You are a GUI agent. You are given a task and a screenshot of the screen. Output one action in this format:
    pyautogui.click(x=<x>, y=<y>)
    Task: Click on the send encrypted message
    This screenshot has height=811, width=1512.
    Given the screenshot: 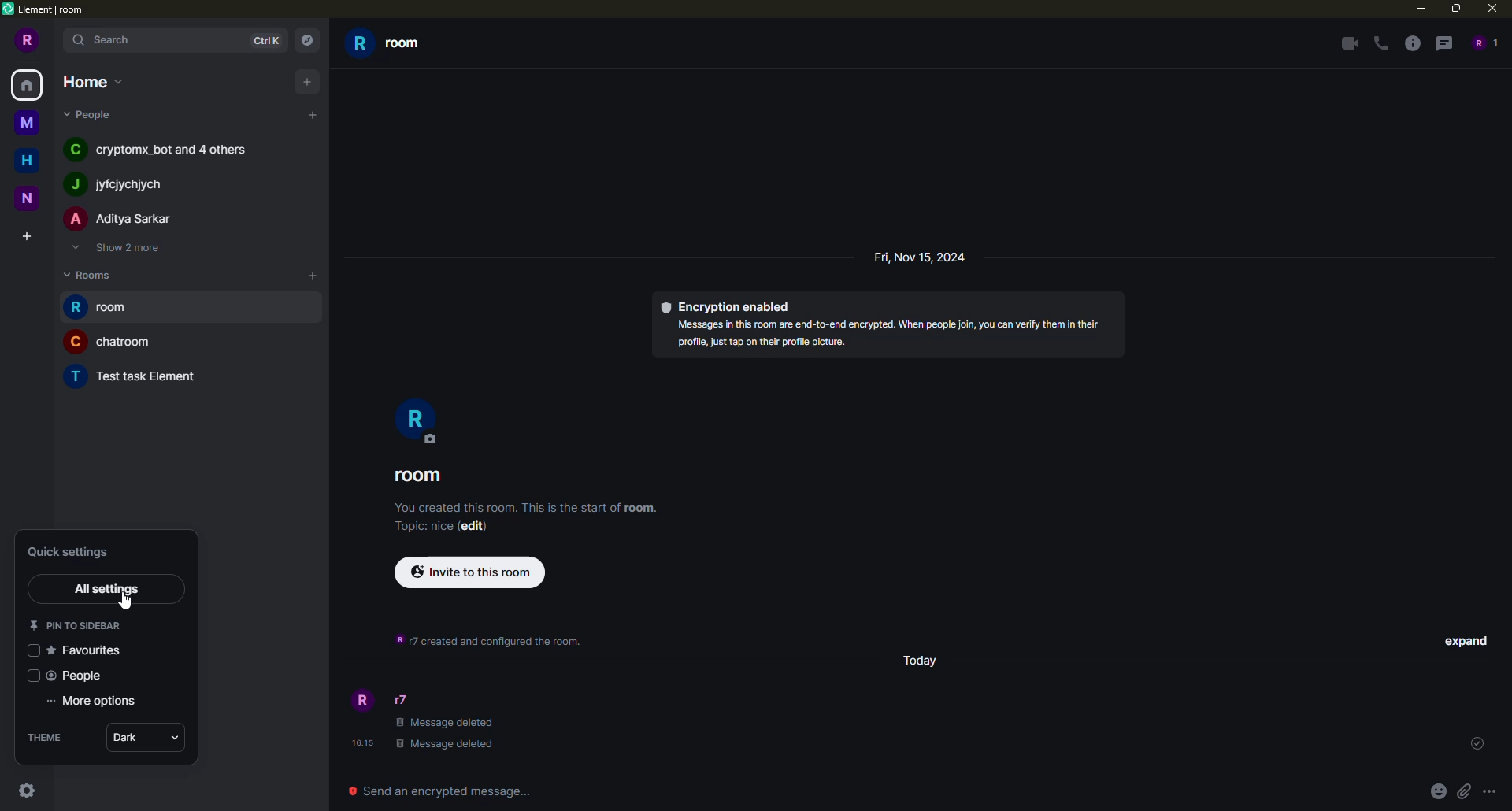 What is the action you would take?
    pyautogui.click(x=436, y=791)
    